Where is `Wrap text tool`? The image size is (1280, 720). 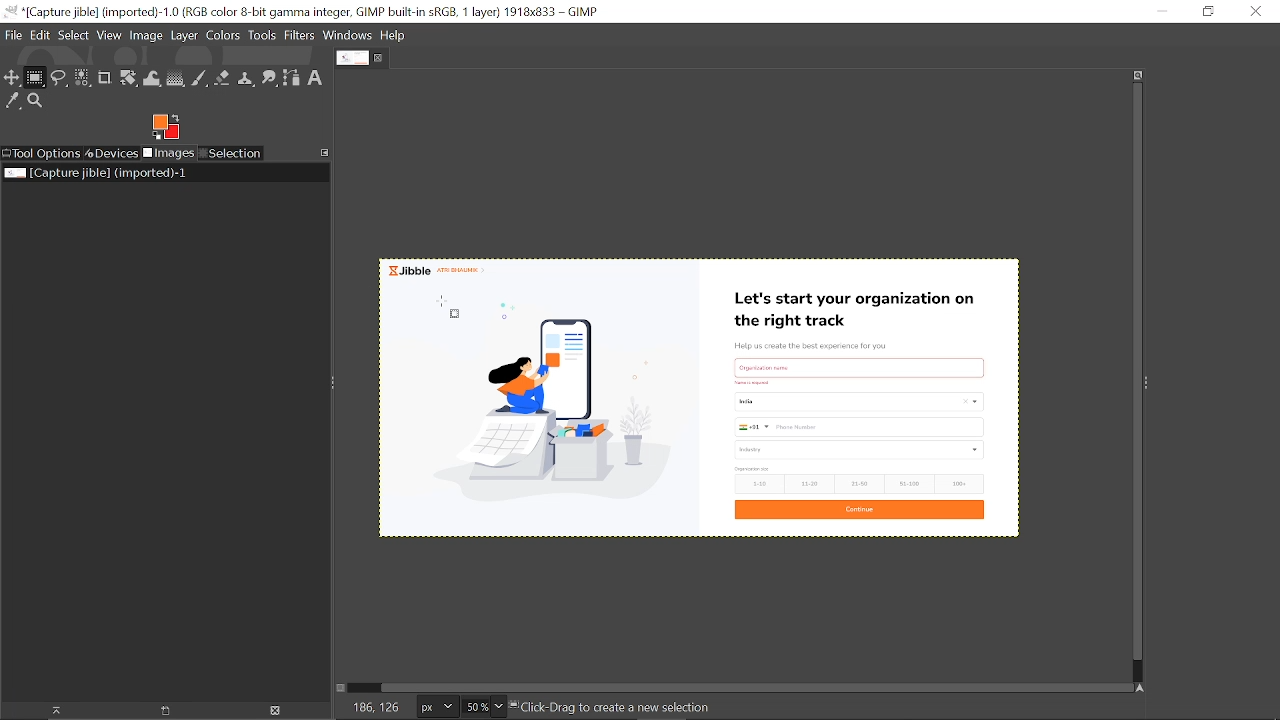
Wrap text tool is located at coordinates (153, 79).